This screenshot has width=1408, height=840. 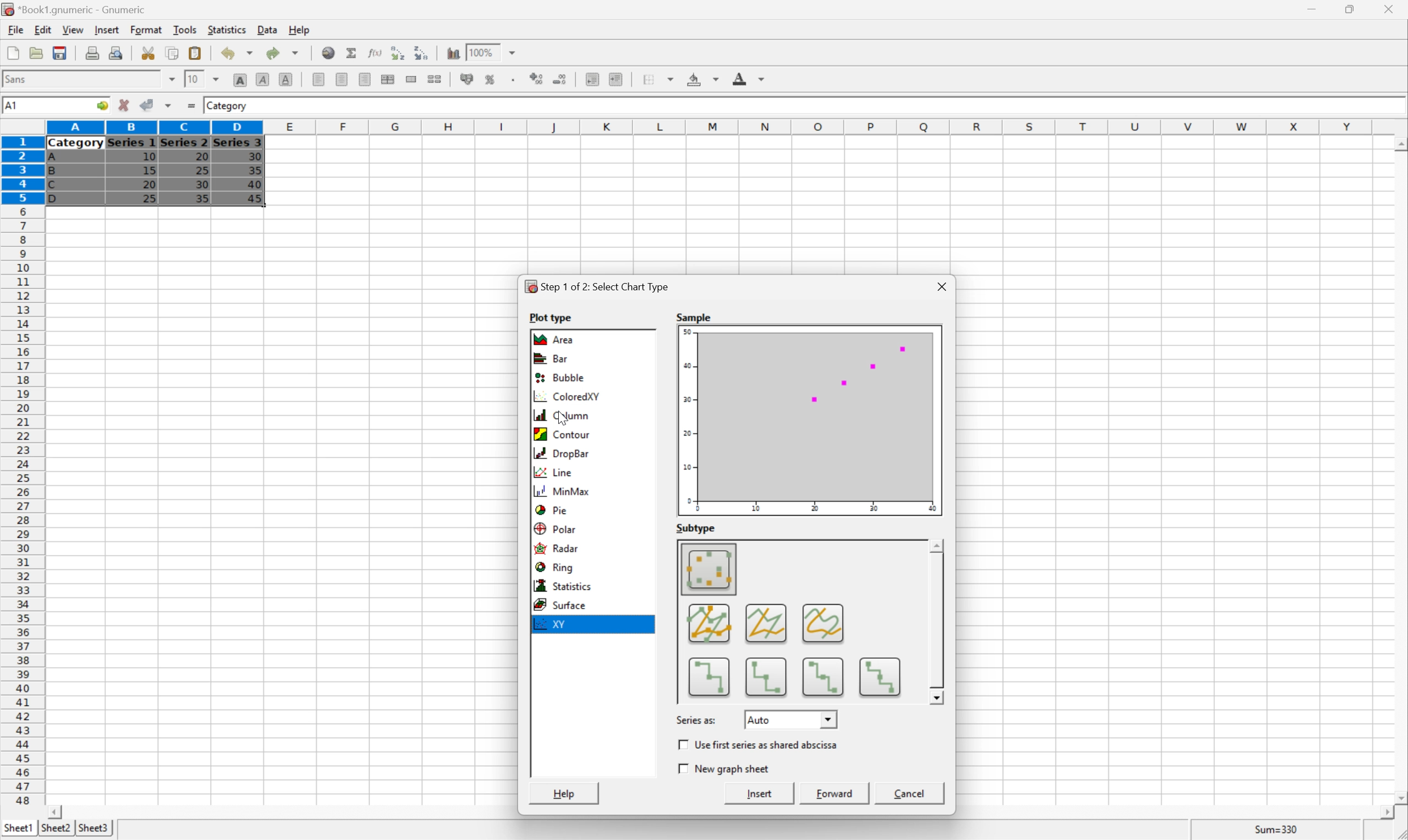 I want to click on Background, so click(x=701, y=78).